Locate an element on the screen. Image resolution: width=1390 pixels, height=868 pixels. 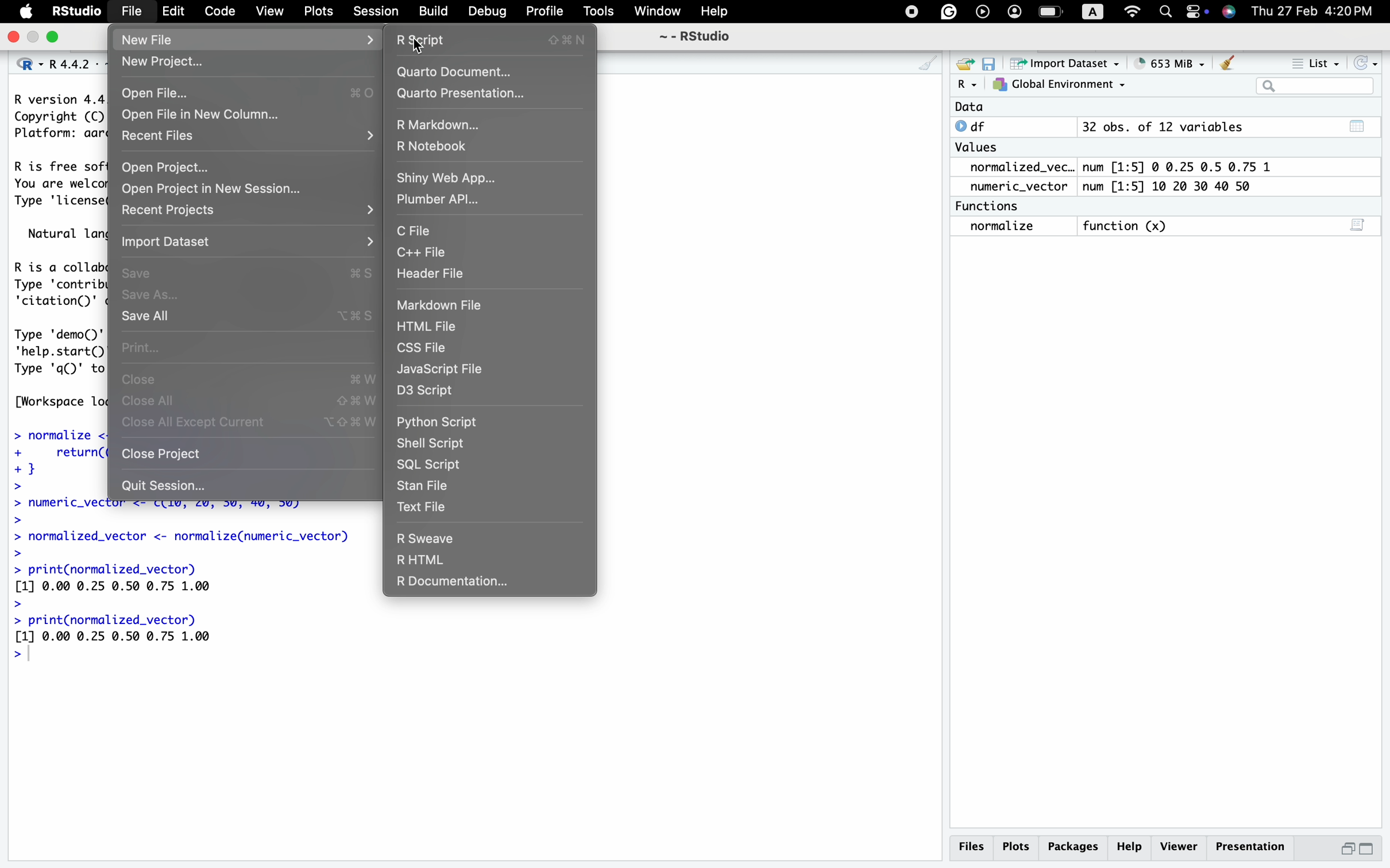
R Documentation is located at coordinates (453, 581).